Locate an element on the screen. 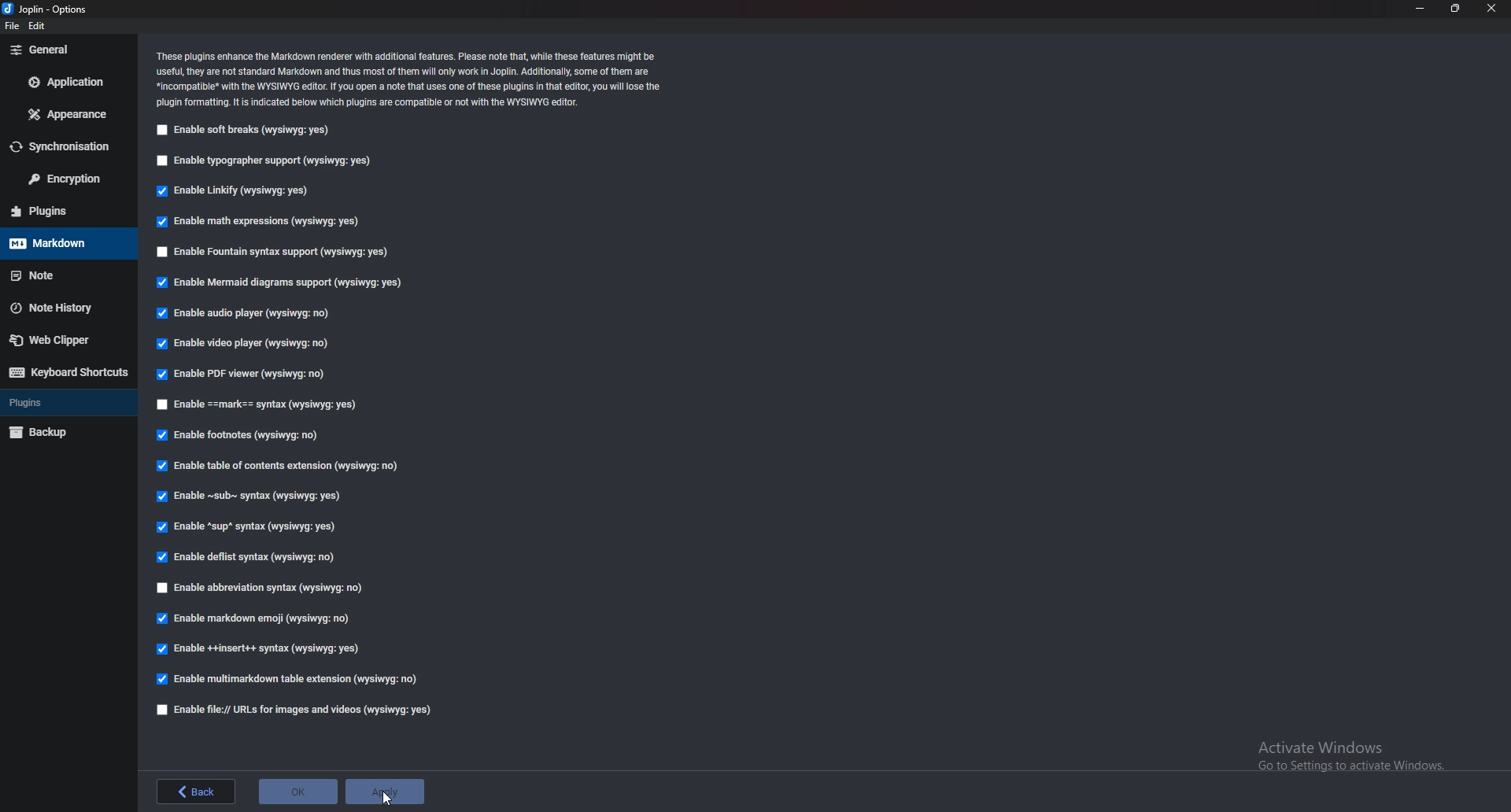 The height and width of the screenshot is (812, 1511). apply is located at coordinates (384, 792).